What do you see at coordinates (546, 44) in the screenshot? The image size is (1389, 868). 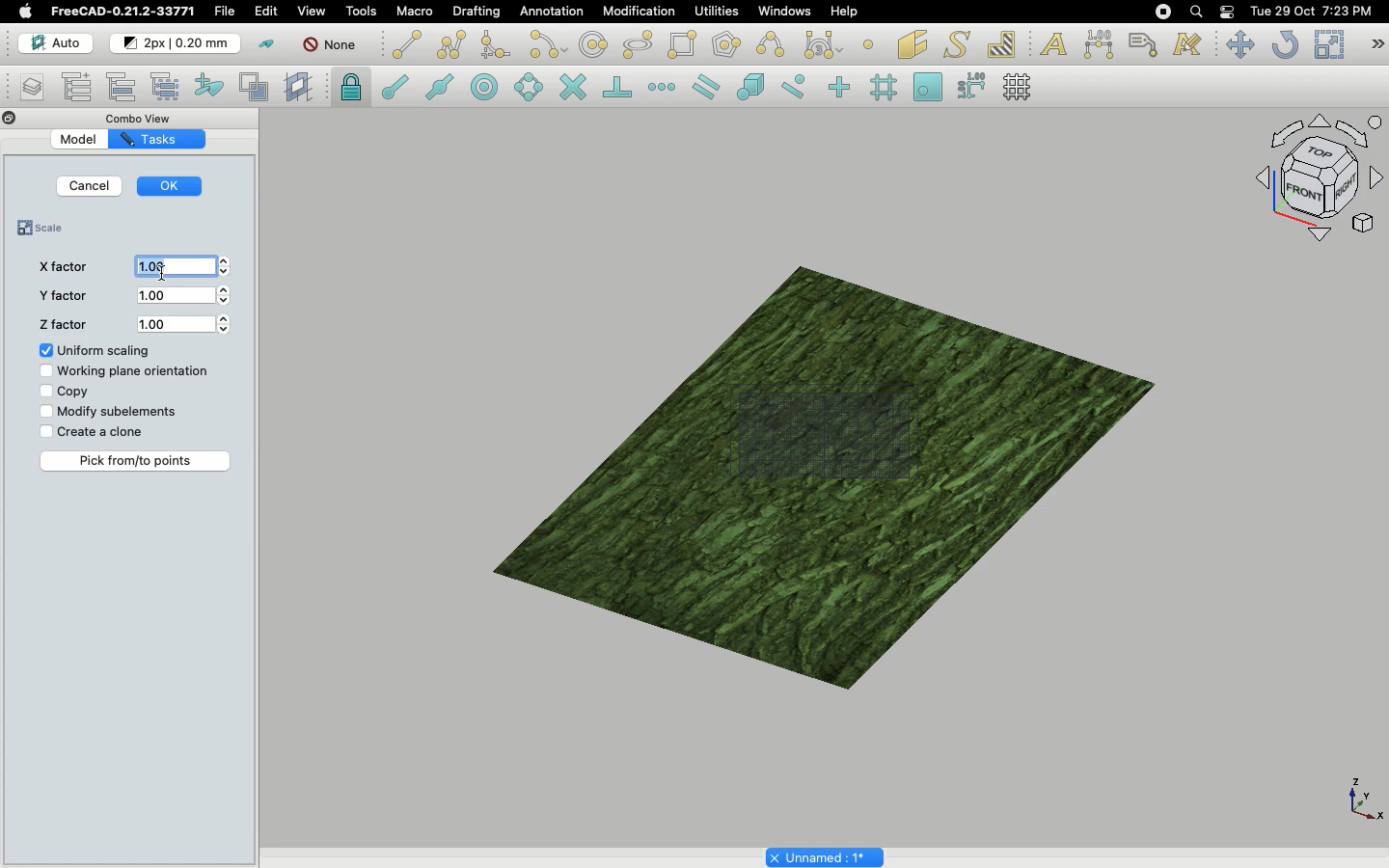 I see `Arc tools` at bounding box center [546, 44].